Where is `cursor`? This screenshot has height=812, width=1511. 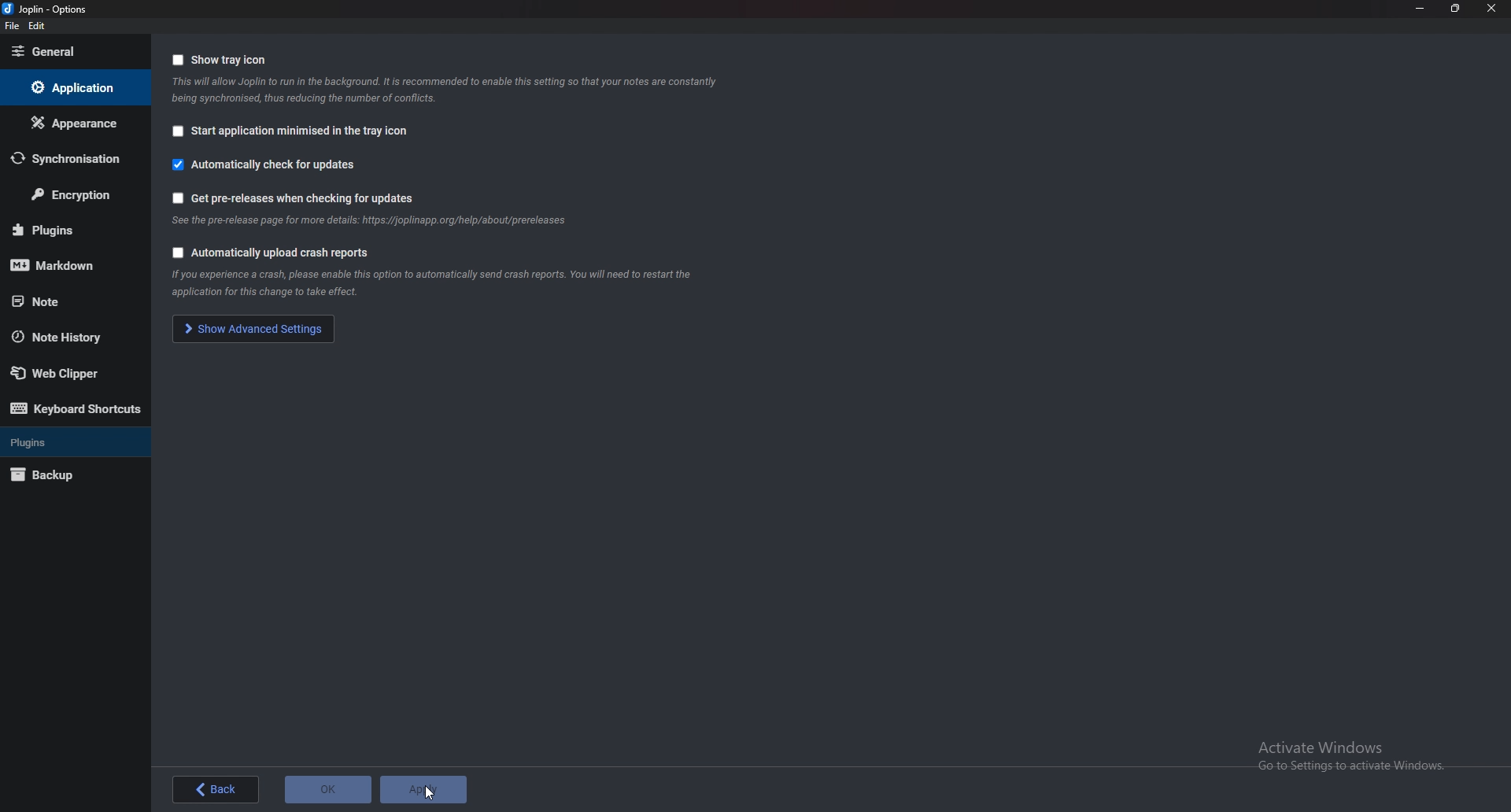
cursor is located at coordinates (433, 793).